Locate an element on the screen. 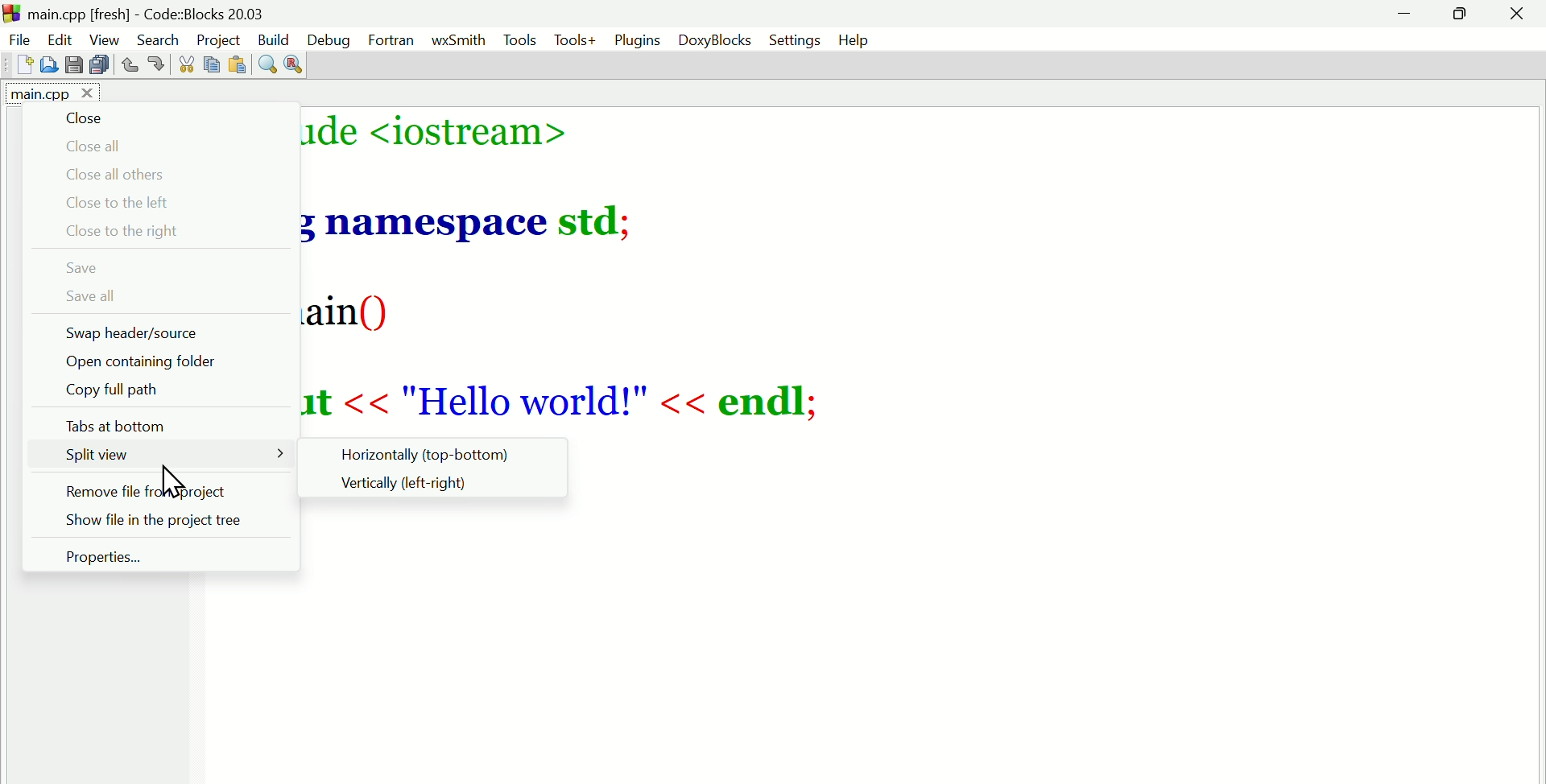 This screenshot has height=784, width=1546. Replace is located at coordinates (299, 62).